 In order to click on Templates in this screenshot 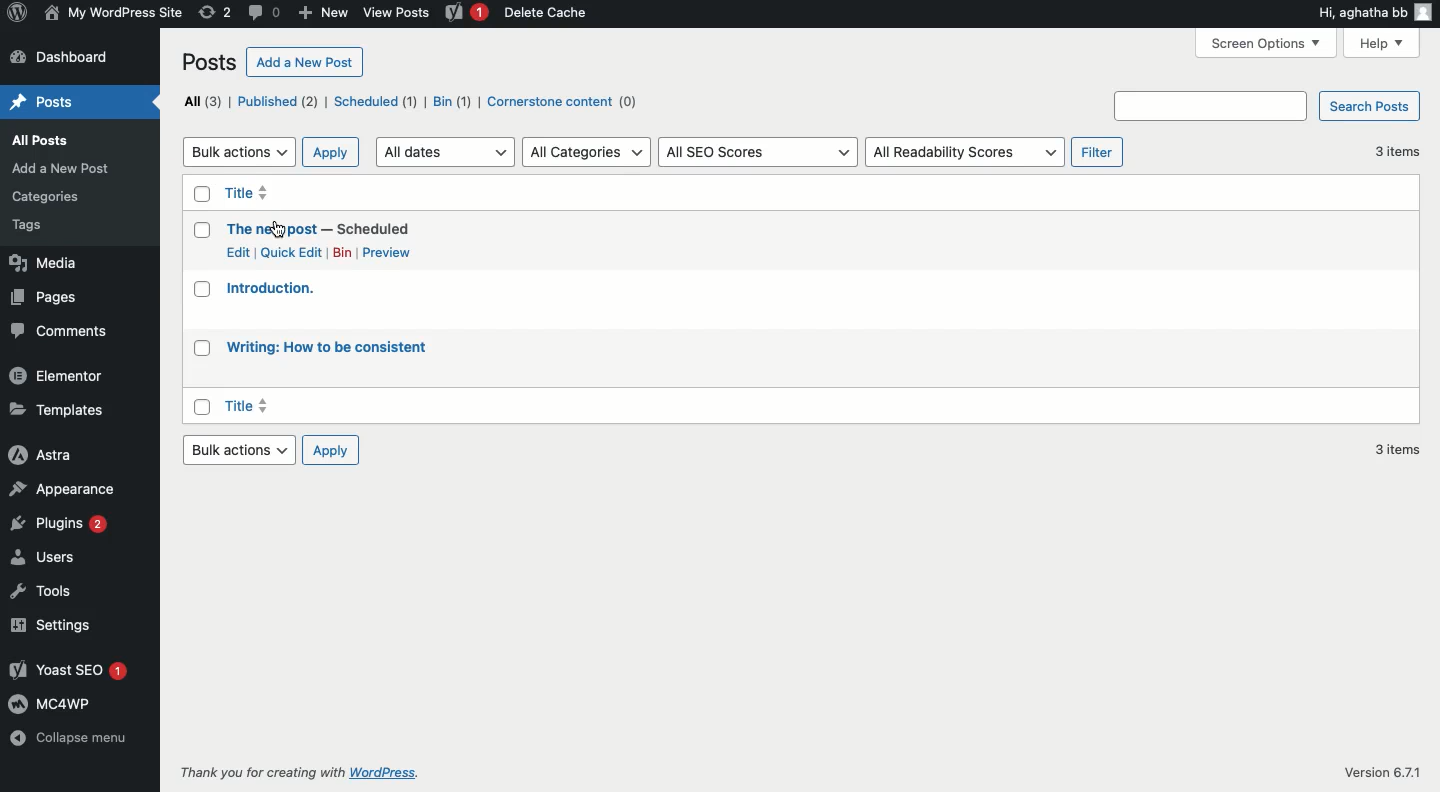, I will do `click(63, 410)`.